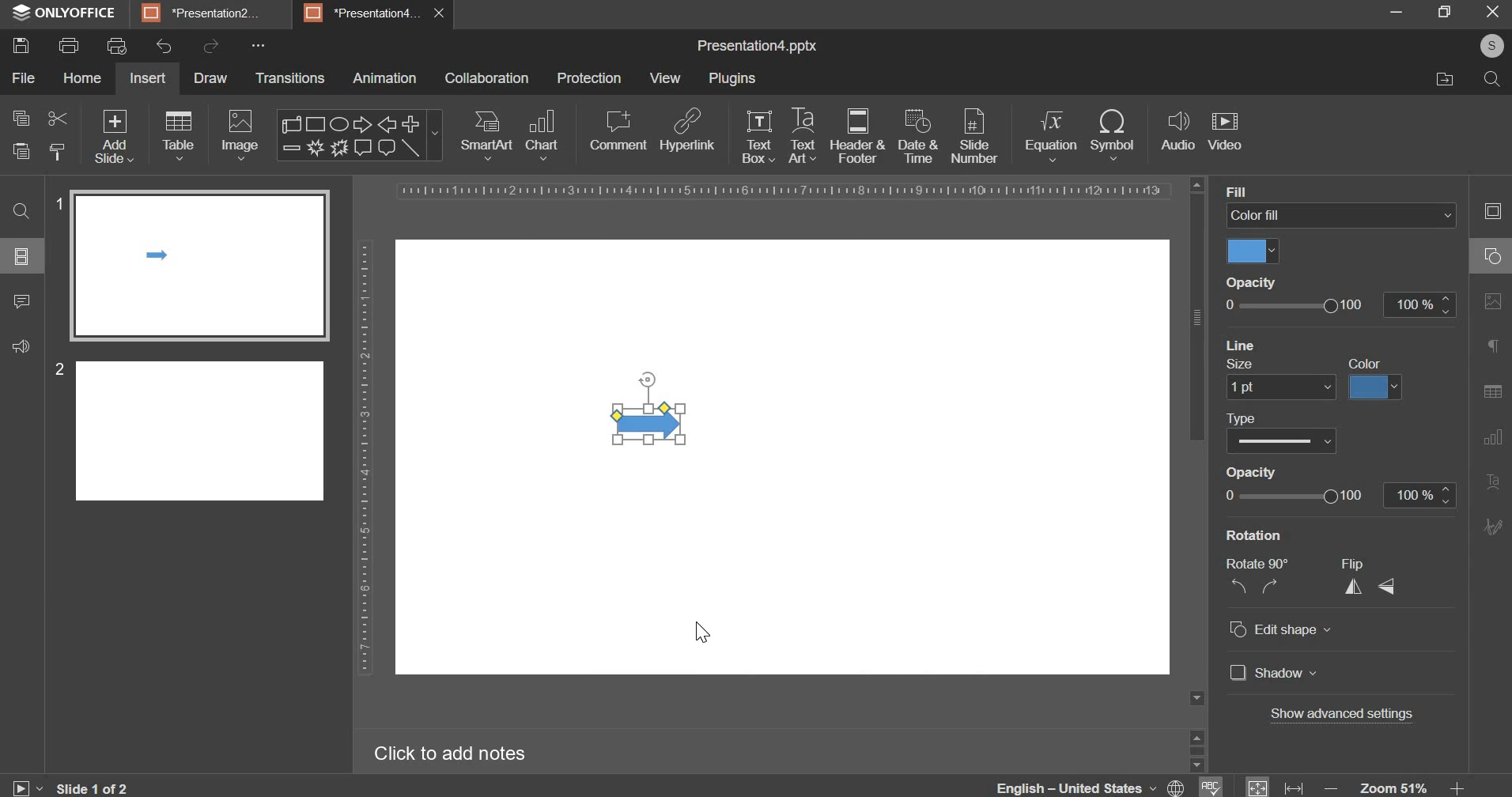 Image resolution: width=1512 pixels, height=797 pixels. What do you see at coordinates (25, 259) in the screenshot?
I see `` at bounding box center [25, 259].